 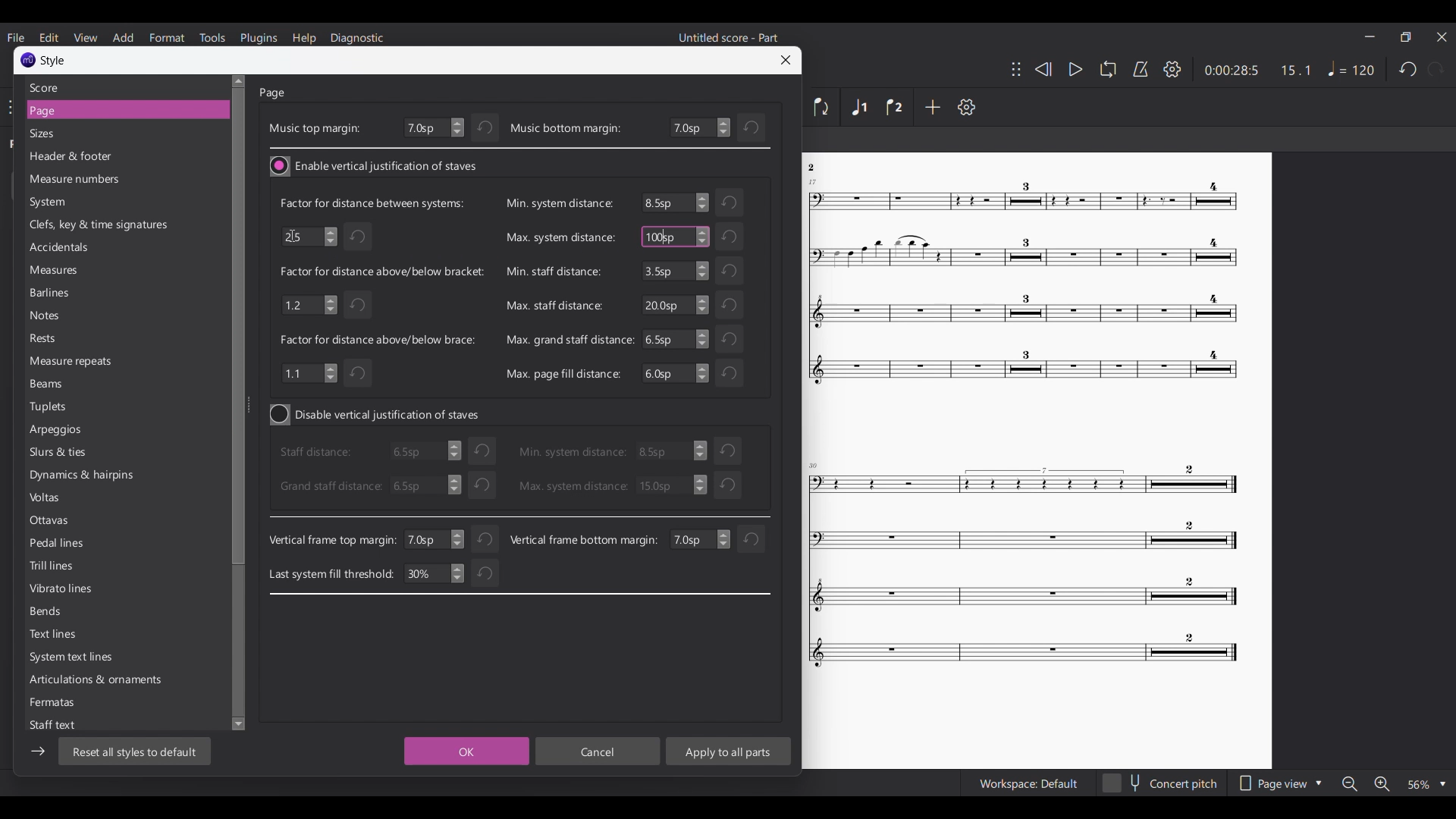 I want to click on Pedal lines, so click(x=80, y=544).